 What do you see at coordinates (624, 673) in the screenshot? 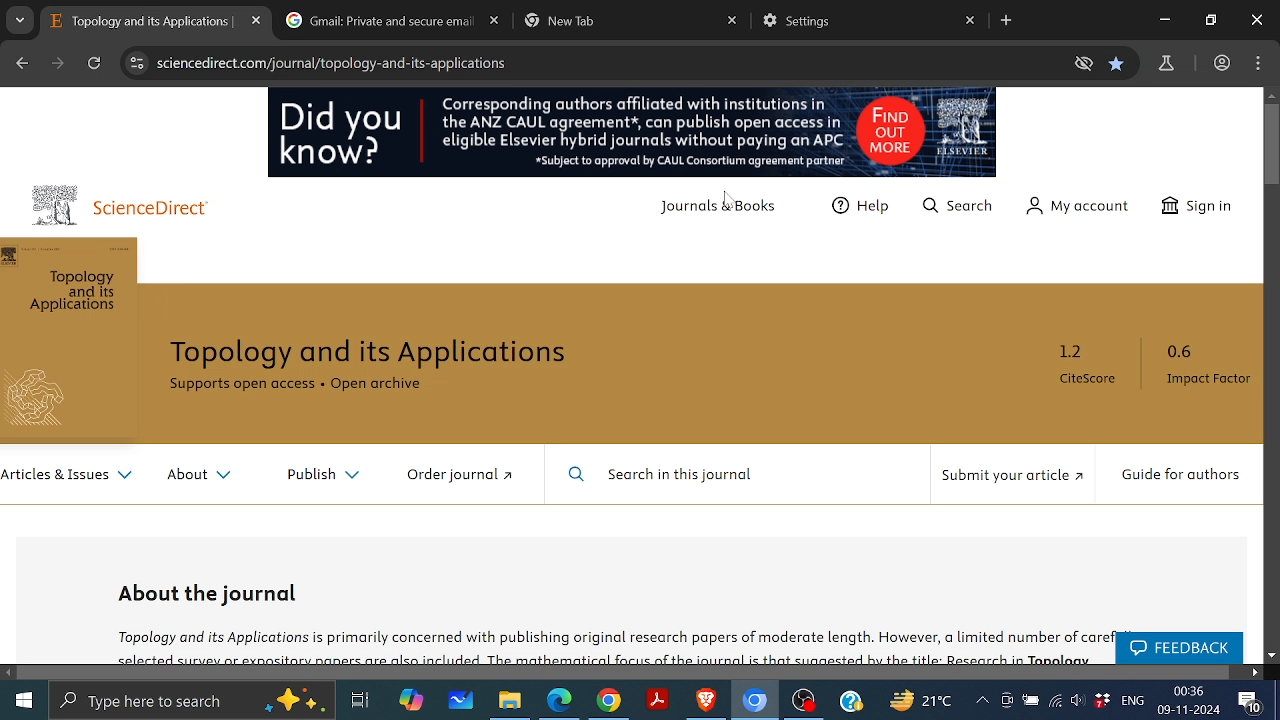
I see `horizontal scrollbar` at bounding box center [624, 673].